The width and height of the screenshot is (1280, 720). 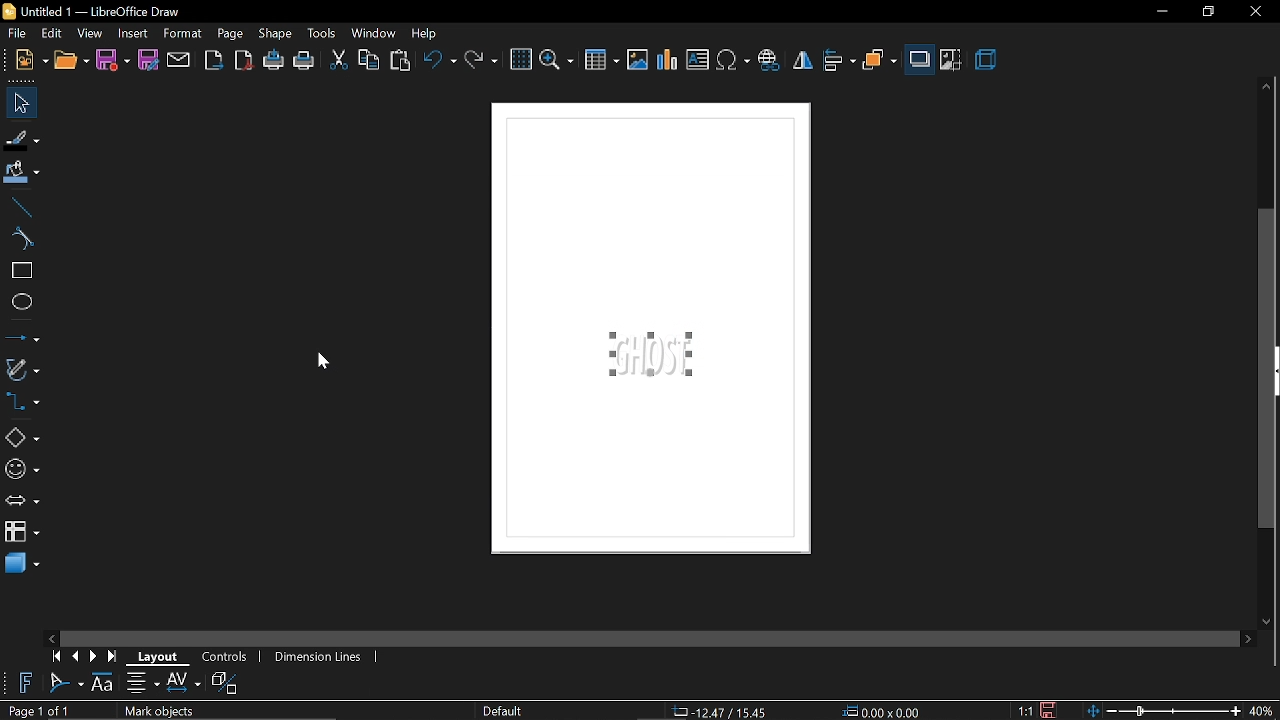 I want to click on shadow, so click(x=919, y=61).